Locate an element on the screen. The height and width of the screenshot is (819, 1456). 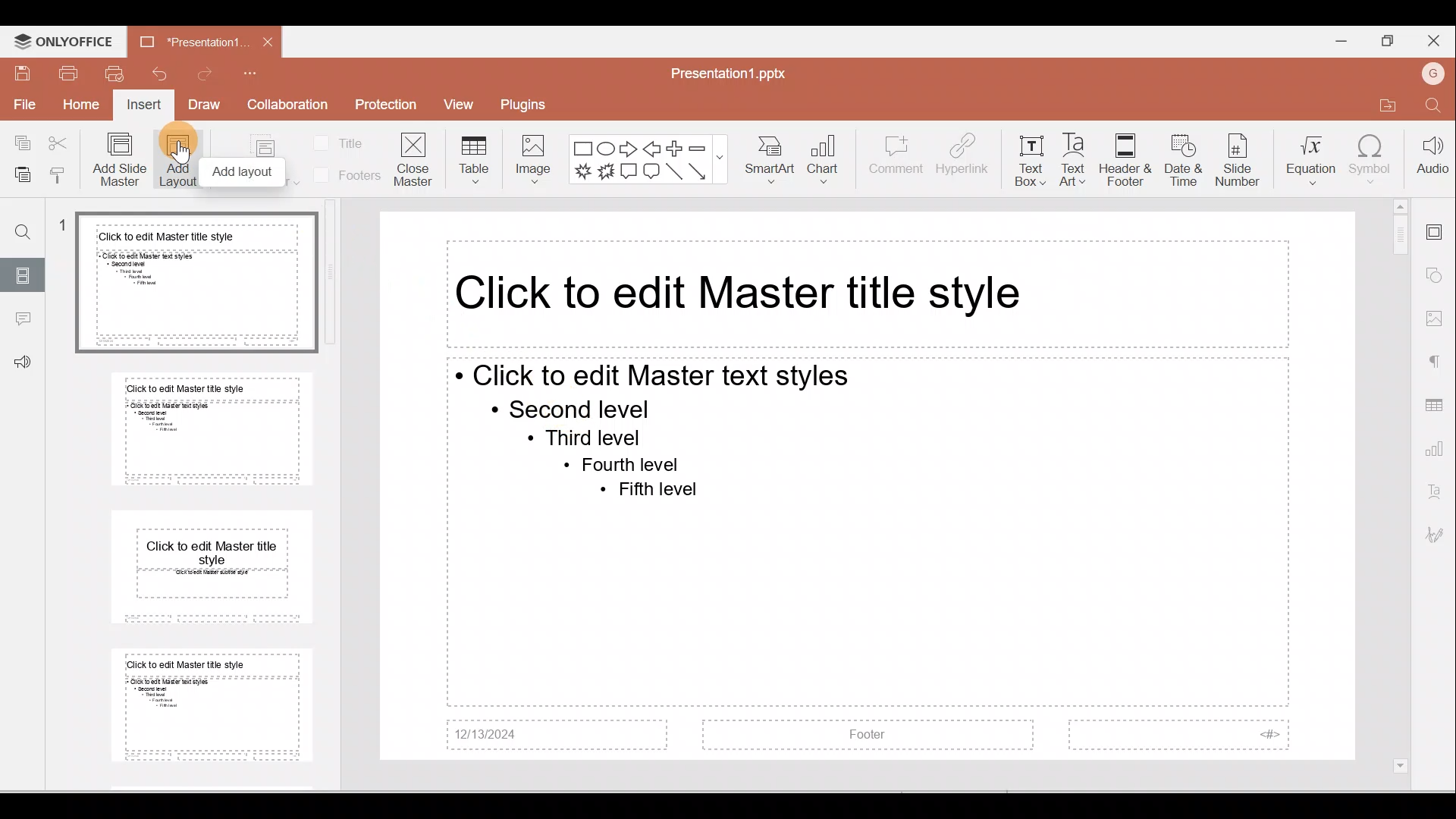
SmartArt is located at coordinates (772, 158).